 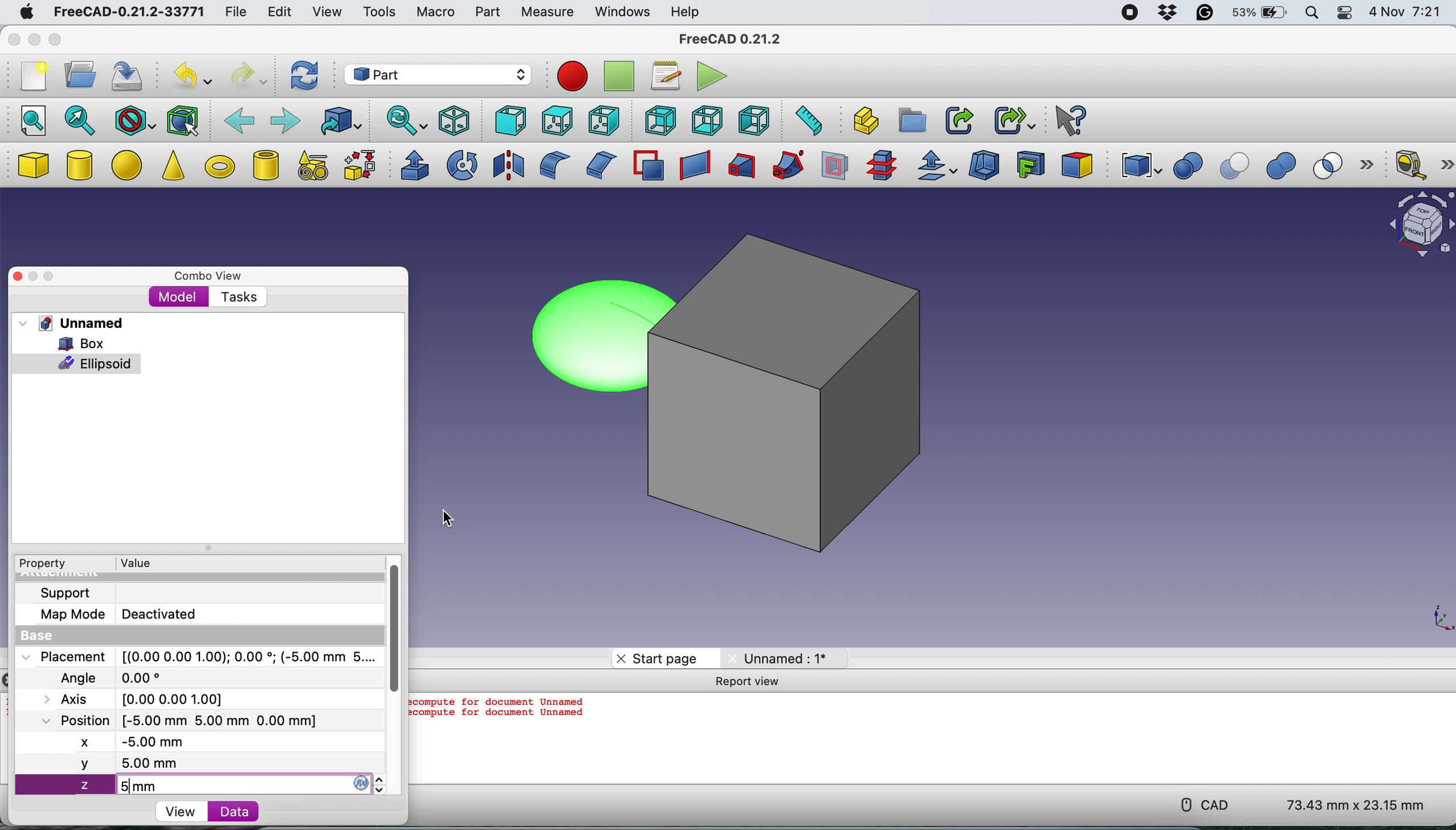 I want to click on torus, so click(x=219, y=166).